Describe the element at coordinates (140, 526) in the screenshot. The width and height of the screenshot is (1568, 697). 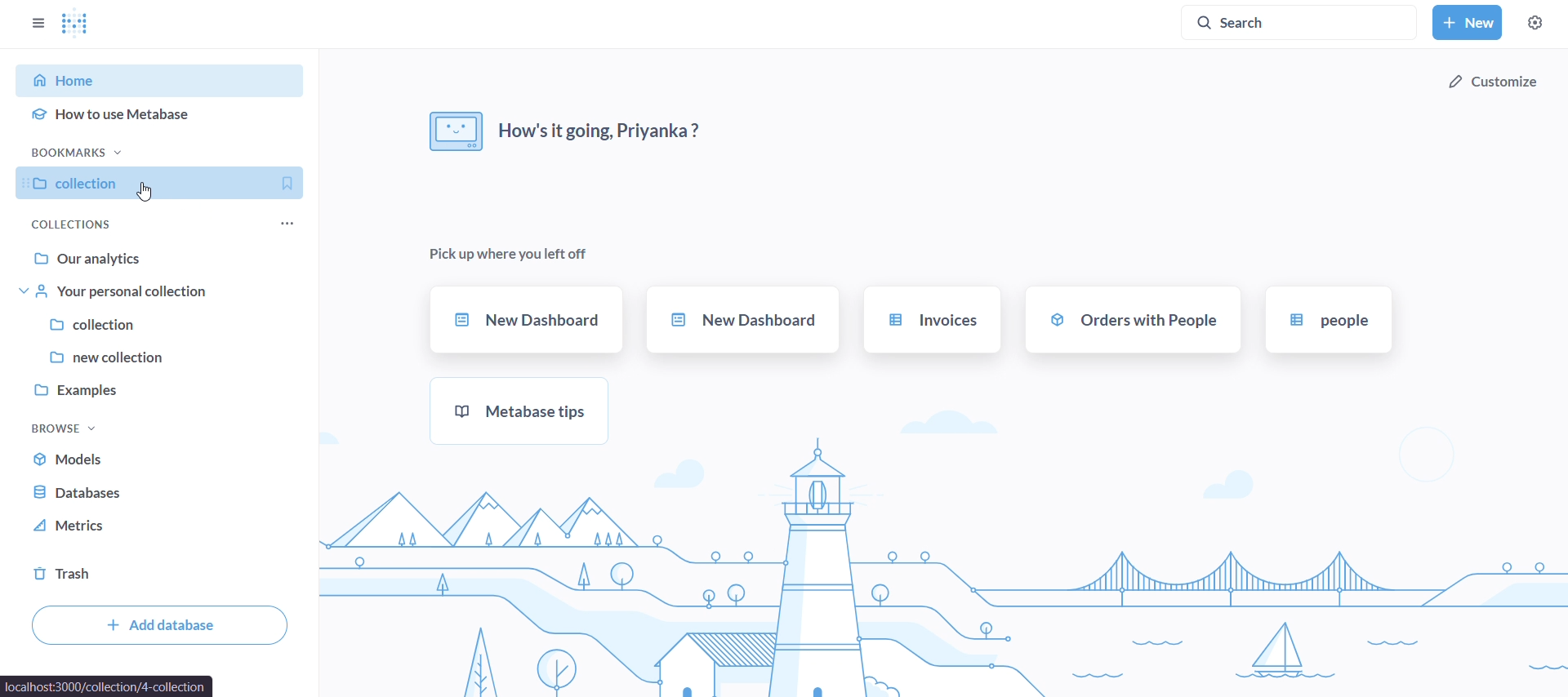
I see `metrics` at that location.